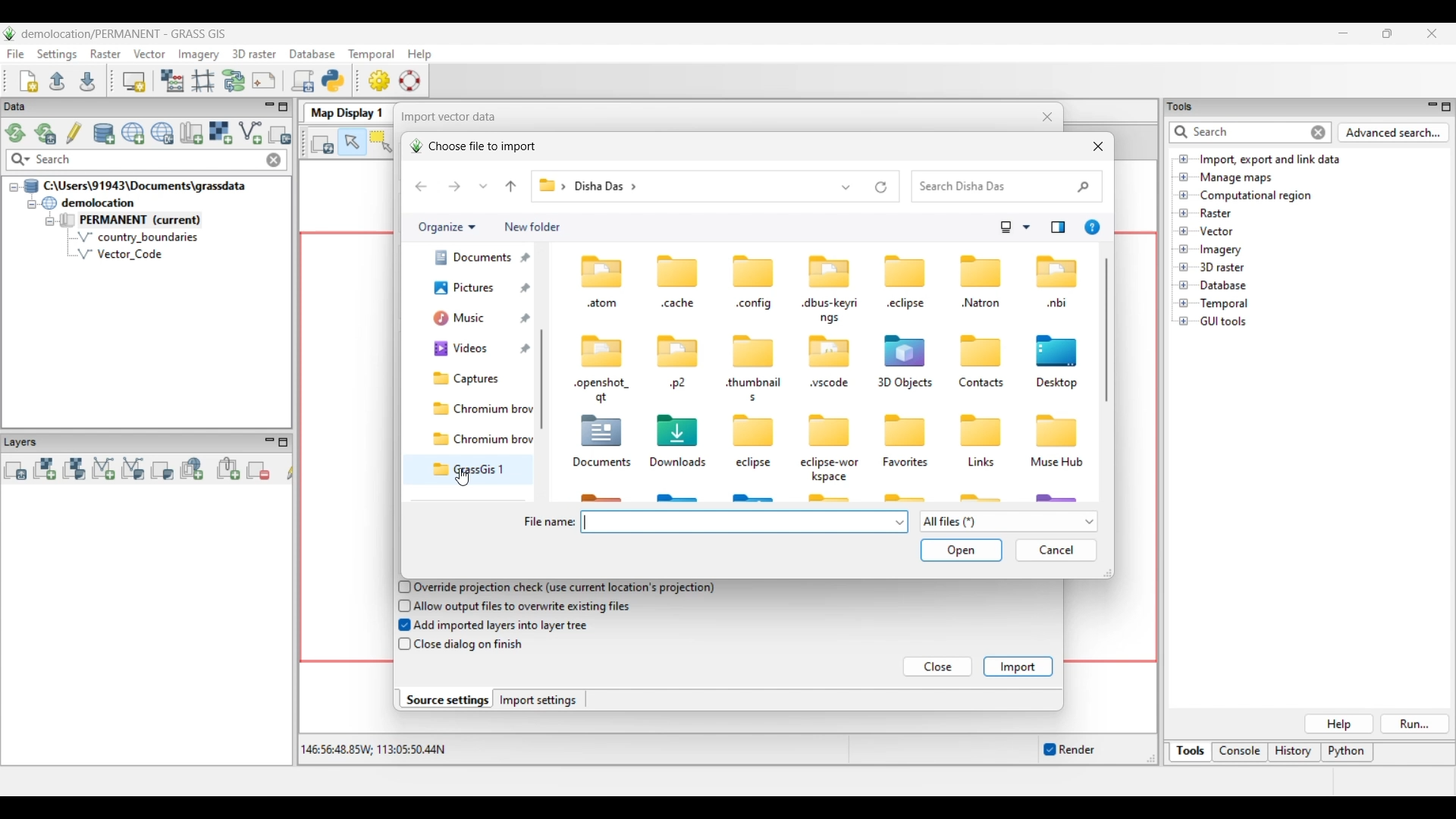 The width and height of the screenshot is (1456, 819). I want to click on 3D Objects, so click(904, 384).